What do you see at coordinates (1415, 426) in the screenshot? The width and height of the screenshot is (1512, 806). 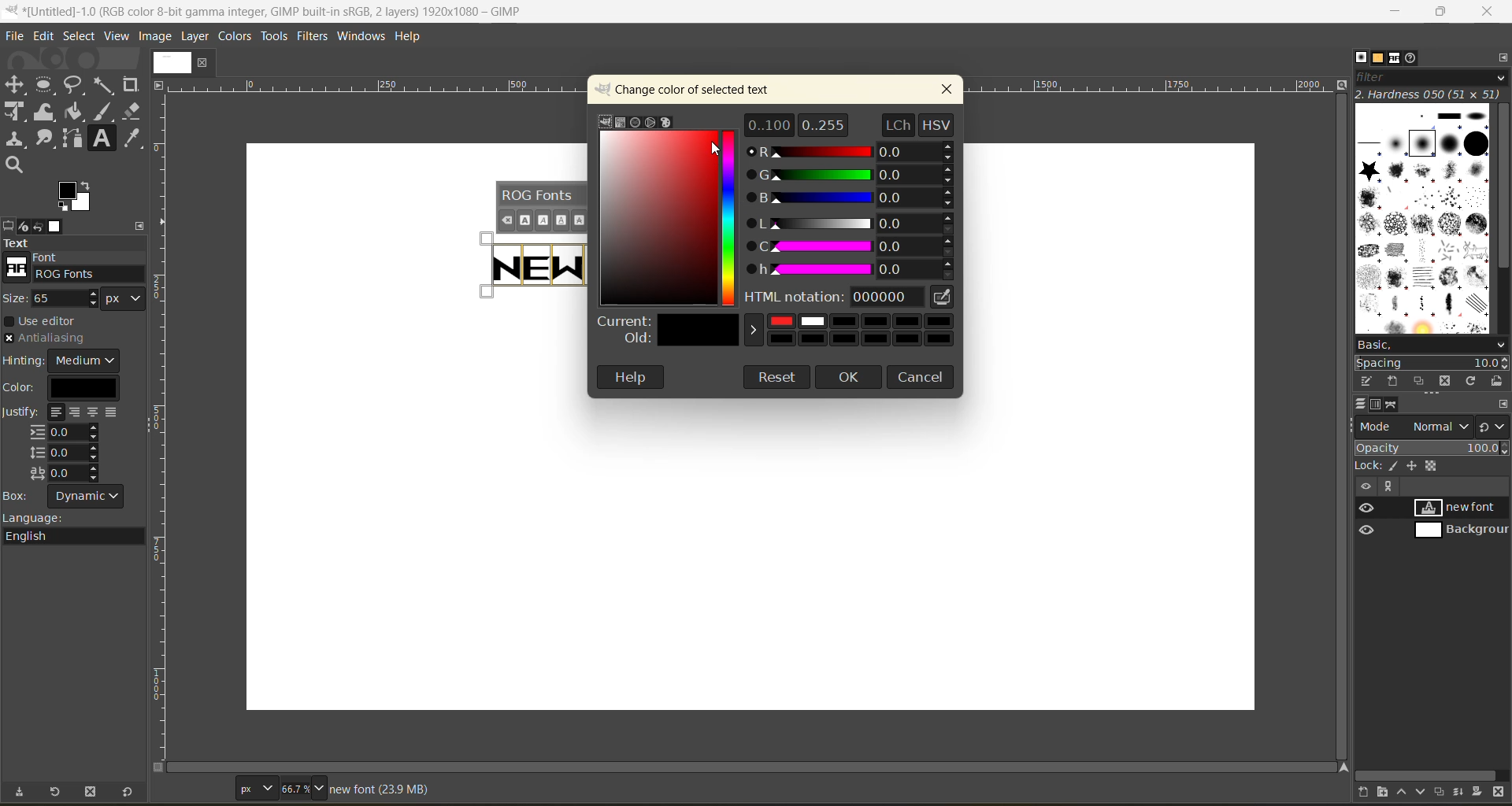 I see `mode` at bounding box center [1415, 426].